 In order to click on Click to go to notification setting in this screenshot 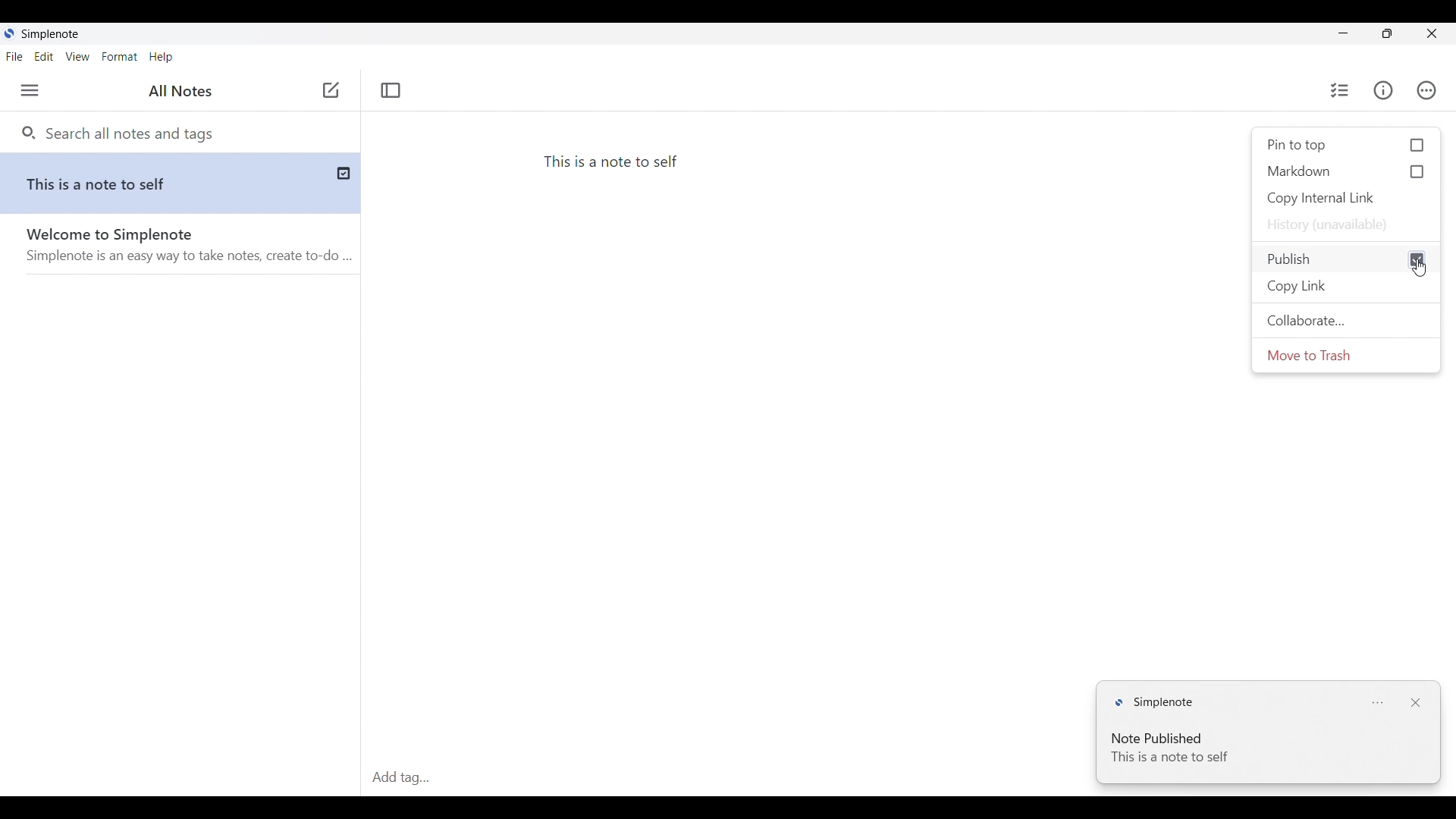, I will do `click(1379, 703)`.